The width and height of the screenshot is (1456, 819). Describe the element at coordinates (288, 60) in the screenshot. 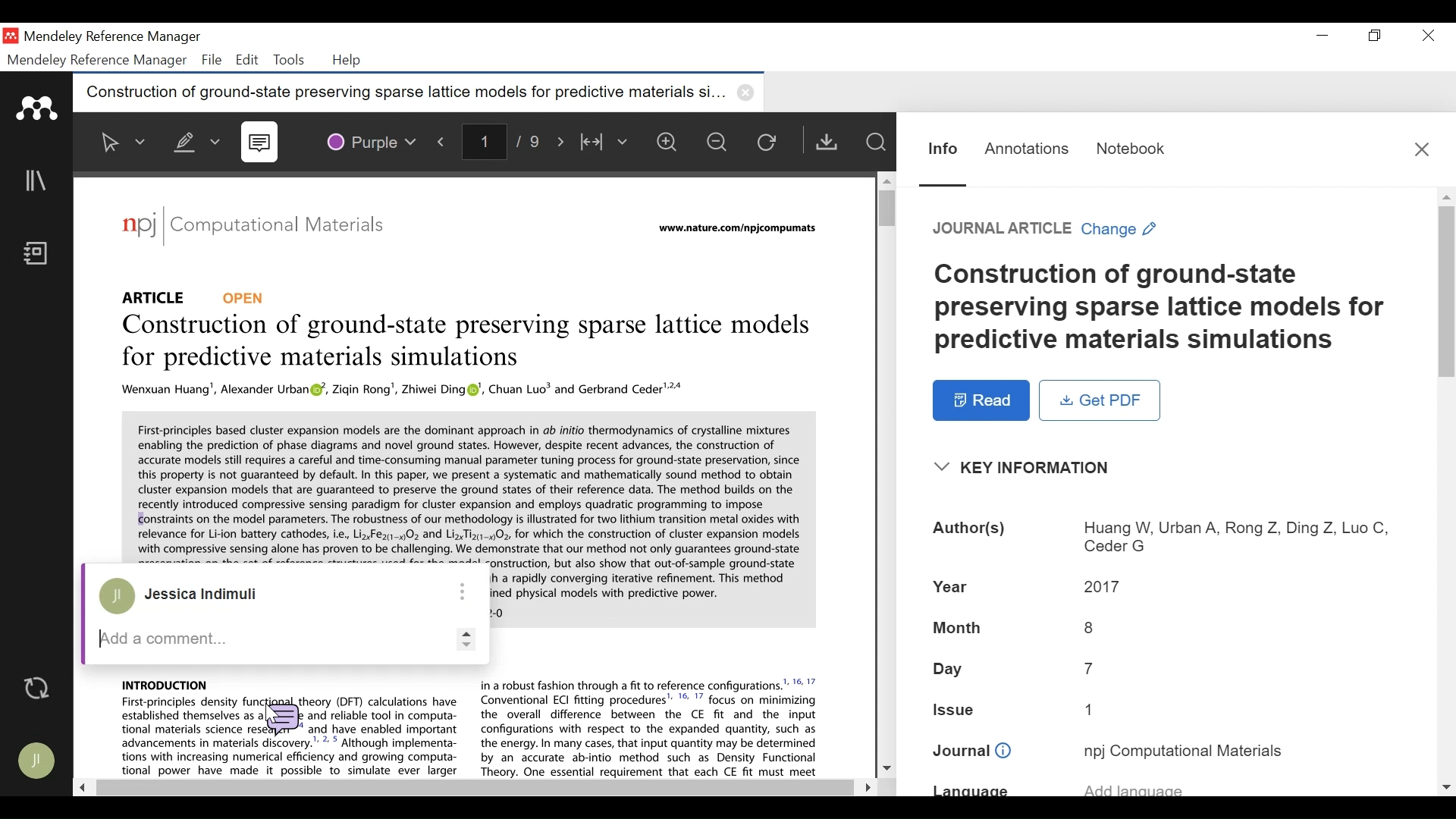

I see `Tools` at that location.